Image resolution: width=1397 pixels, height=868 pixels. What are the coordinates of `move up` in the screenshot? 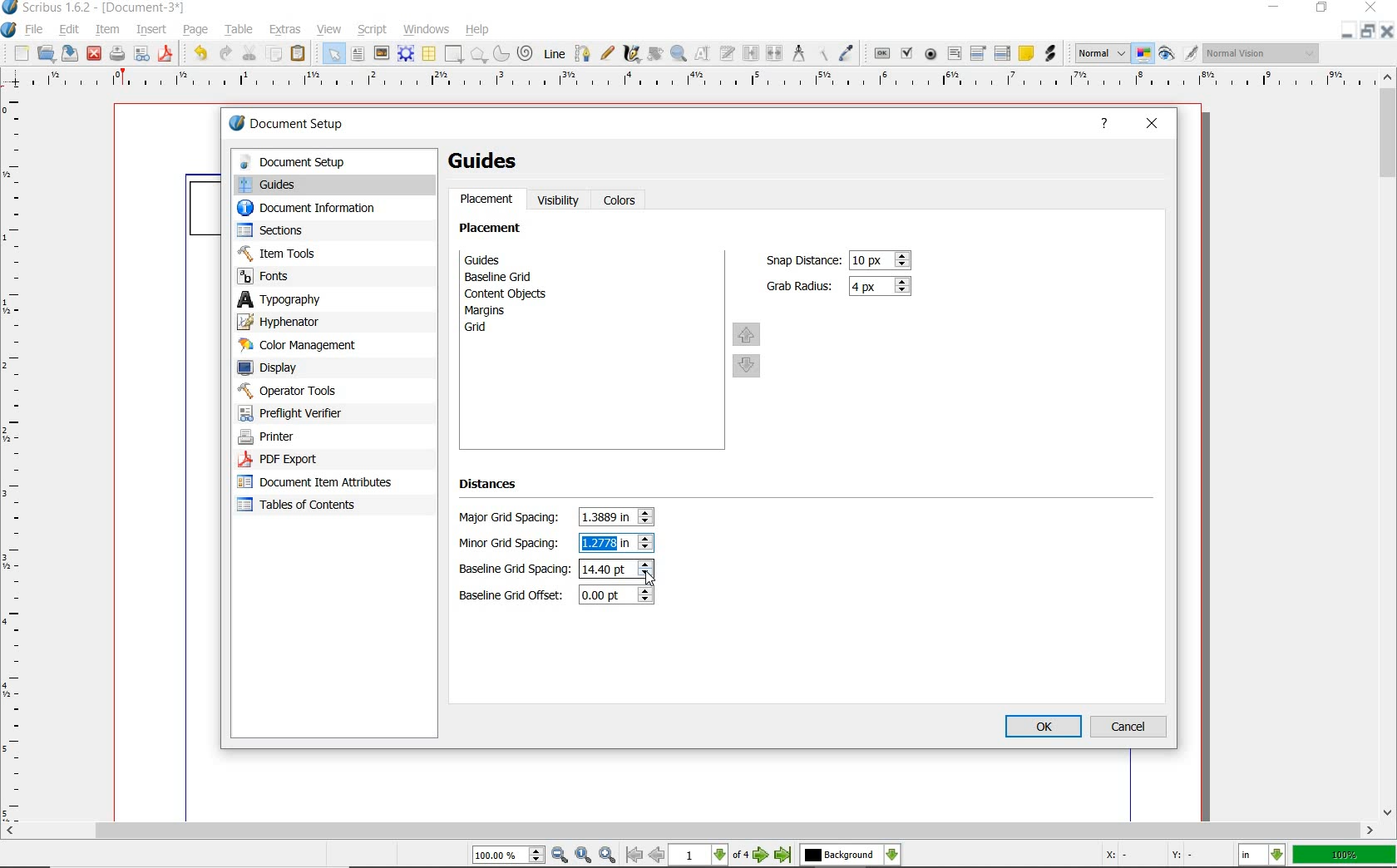 It's located at (747, 333).